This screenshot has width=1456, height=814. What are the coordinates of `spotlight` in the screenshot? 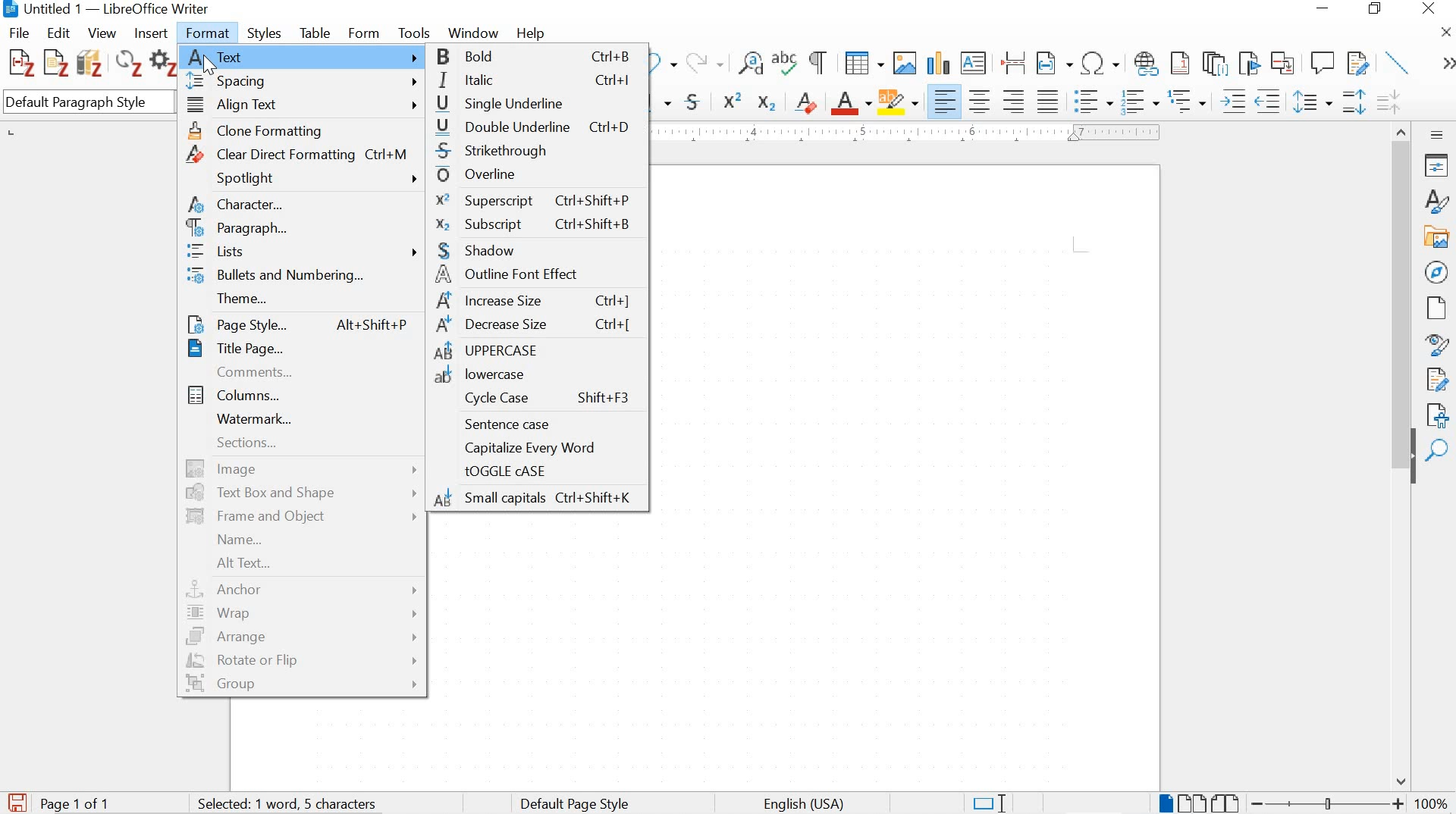 It's located at (304, 179).